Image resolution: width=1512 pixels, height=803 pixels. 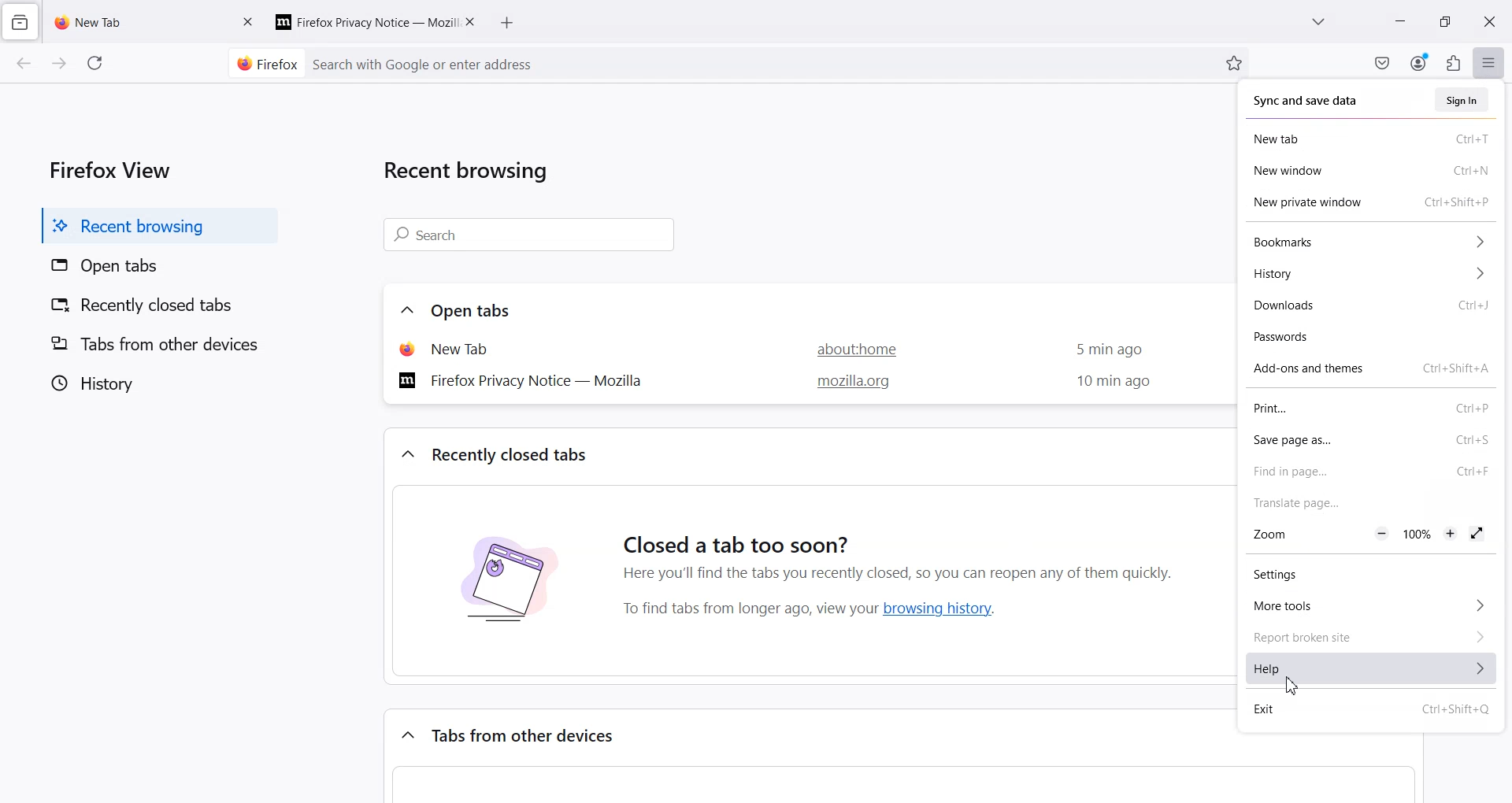 I want to click on Print..., so click(x=1369, y=409).